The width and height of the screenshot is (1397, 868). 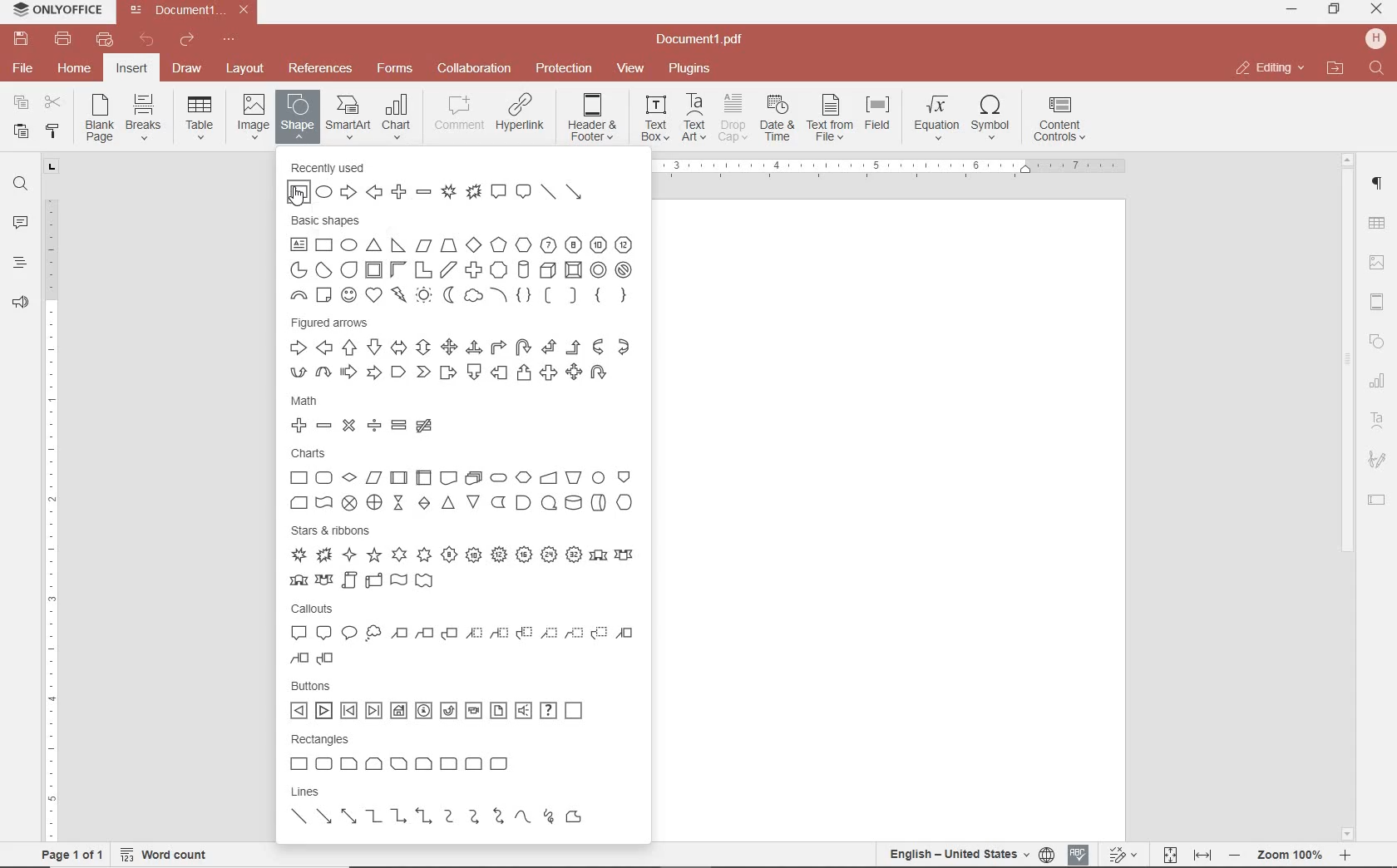 What do you see at coordinates (19, 131) in the screenshot?
I see `paste` at bounding box center [19, 131].